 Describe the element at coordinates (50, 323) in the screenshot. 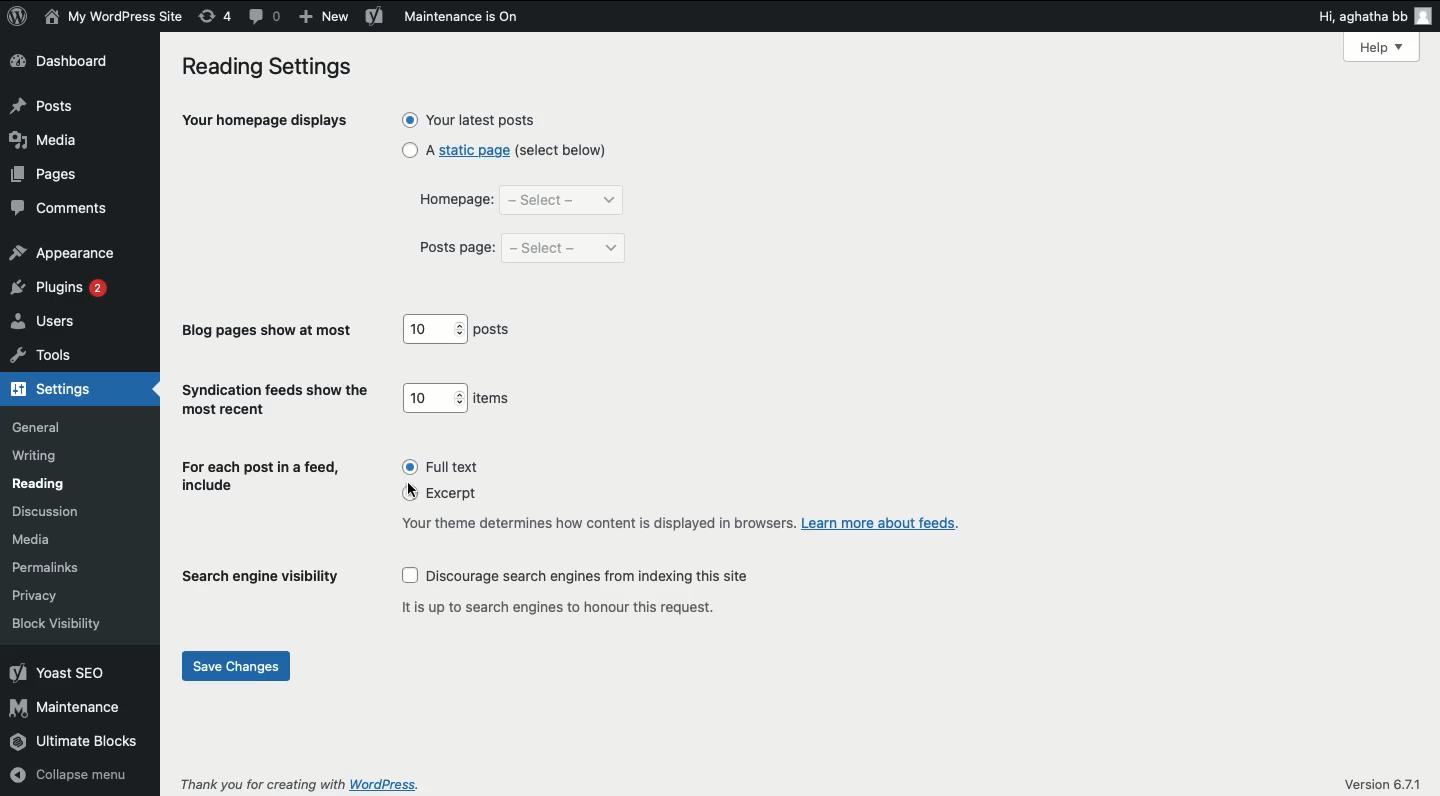

I see `users` at that location.